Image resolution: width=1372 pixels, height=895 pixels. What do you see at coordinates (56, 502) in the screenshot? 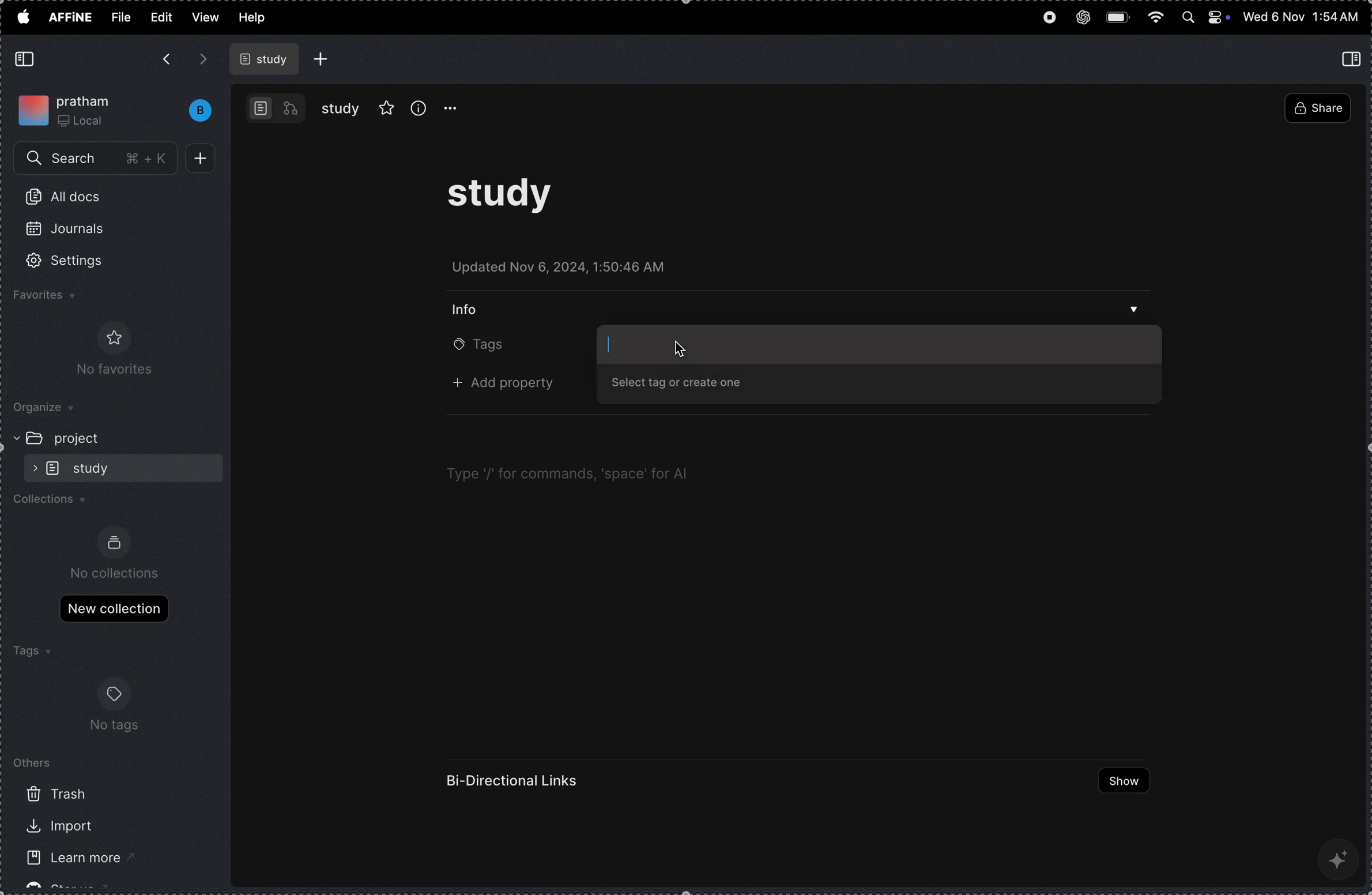
I see `collections` at bounding box center [56, 502].